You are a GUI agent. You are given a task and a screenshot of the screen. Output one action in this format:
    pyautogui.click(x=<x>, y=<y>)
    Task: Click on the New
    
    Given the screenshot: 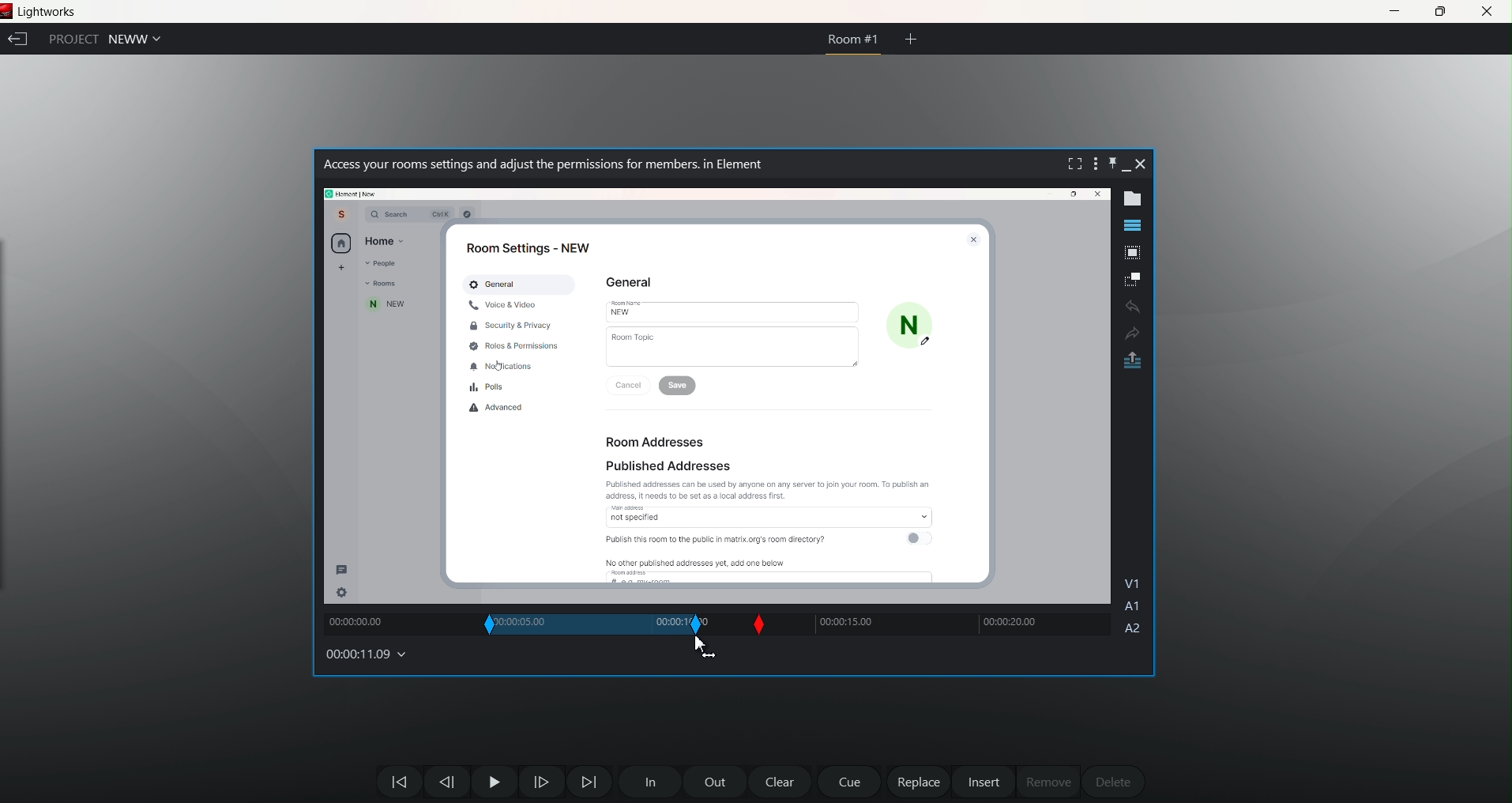 What is the action you would take?
    pyautogui.click(x=735, y=311)
    